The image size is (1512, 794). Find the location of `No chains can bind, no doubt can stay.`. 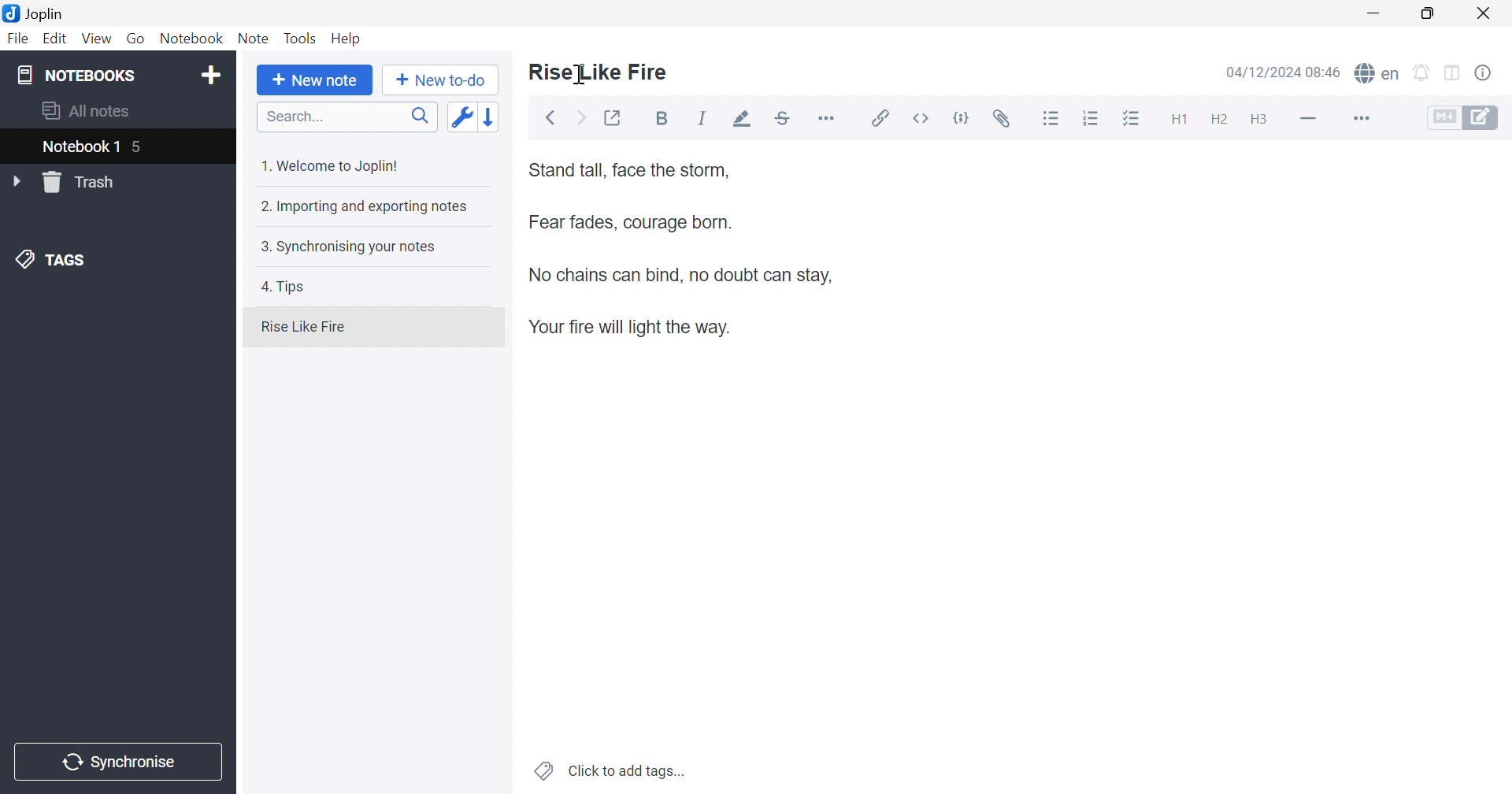

No chains can bind, no doubt can stay. is located at coordinates (682, 274).